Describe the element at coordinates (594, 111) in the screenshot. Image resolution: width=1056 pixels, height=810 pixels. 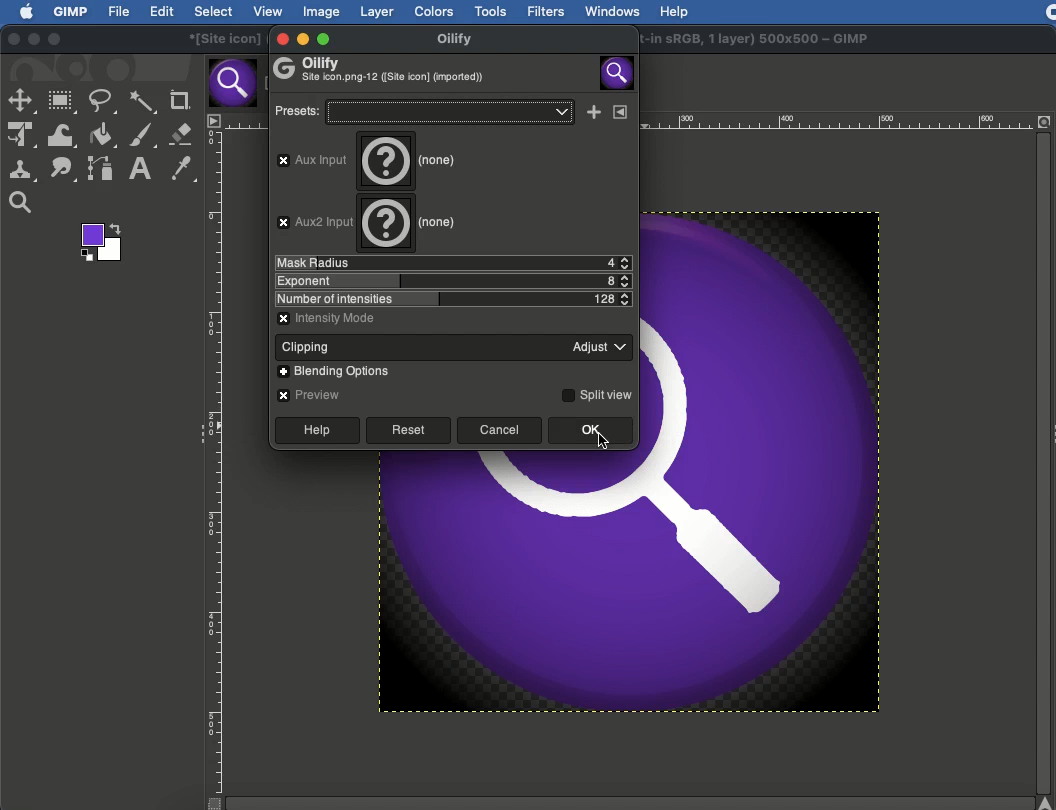
I see `Add` at that location.